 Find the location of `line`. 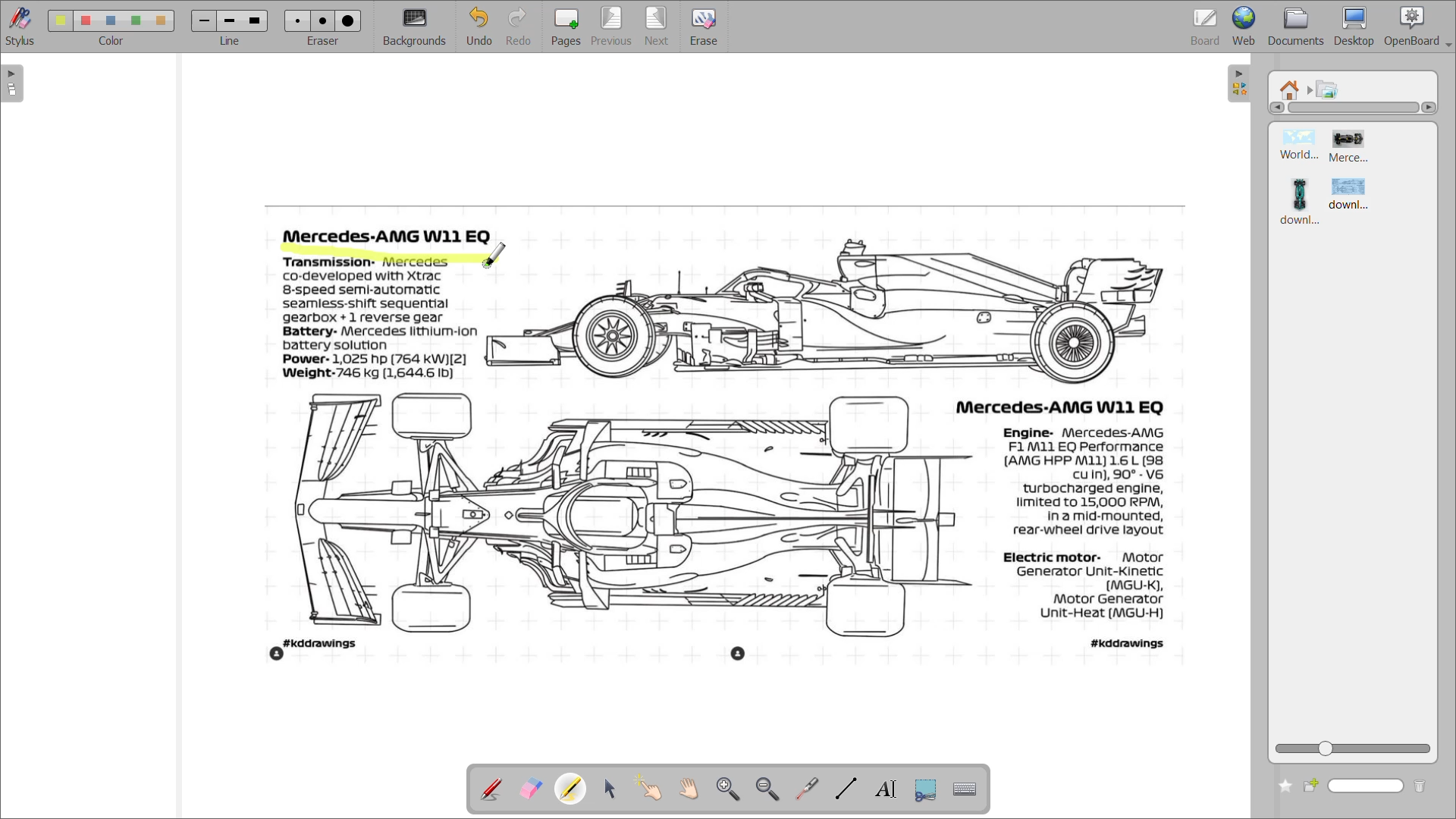

line is located at coordinates (230, 40).